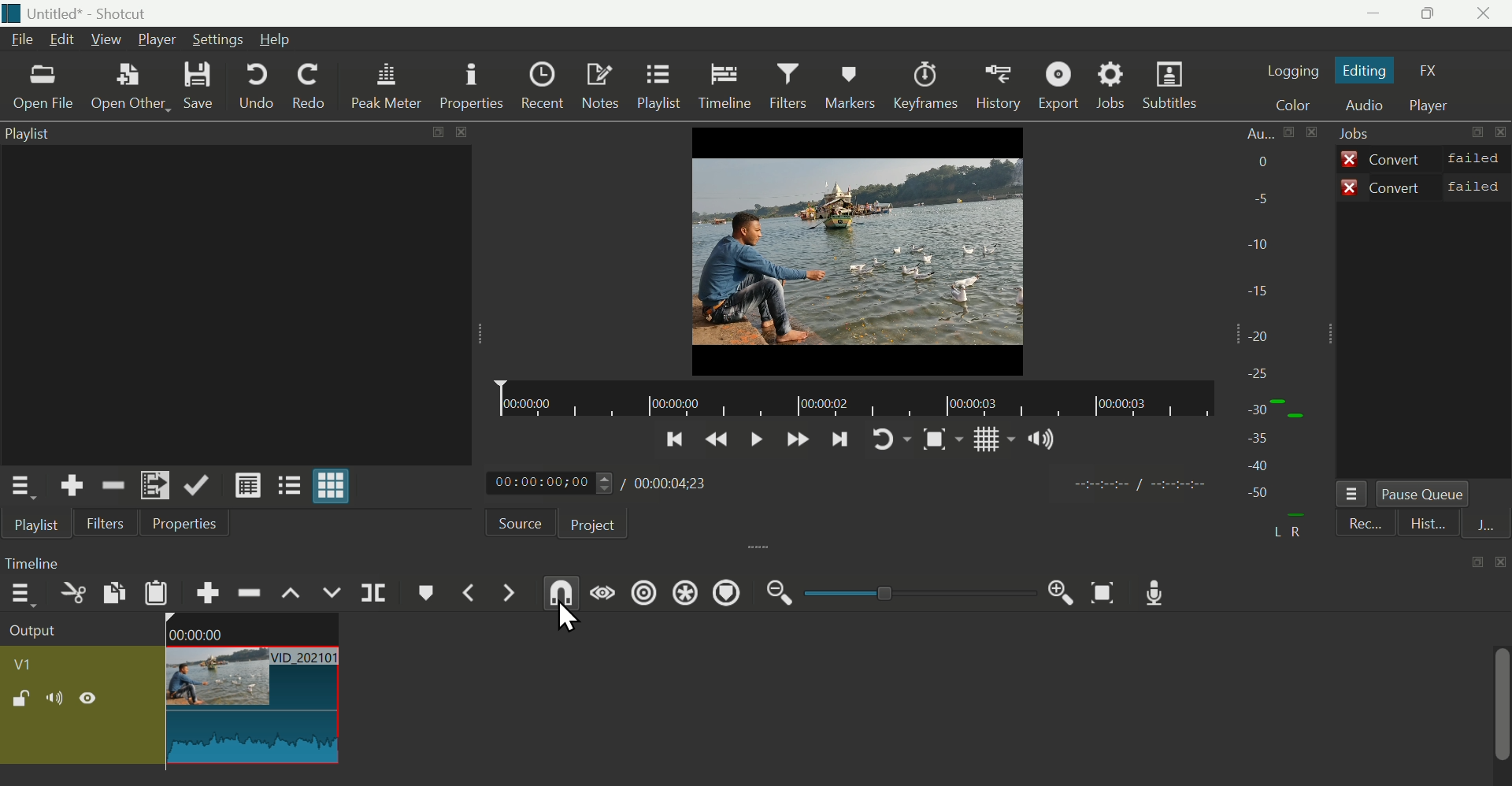  I want to click on , so click(1102, 595).